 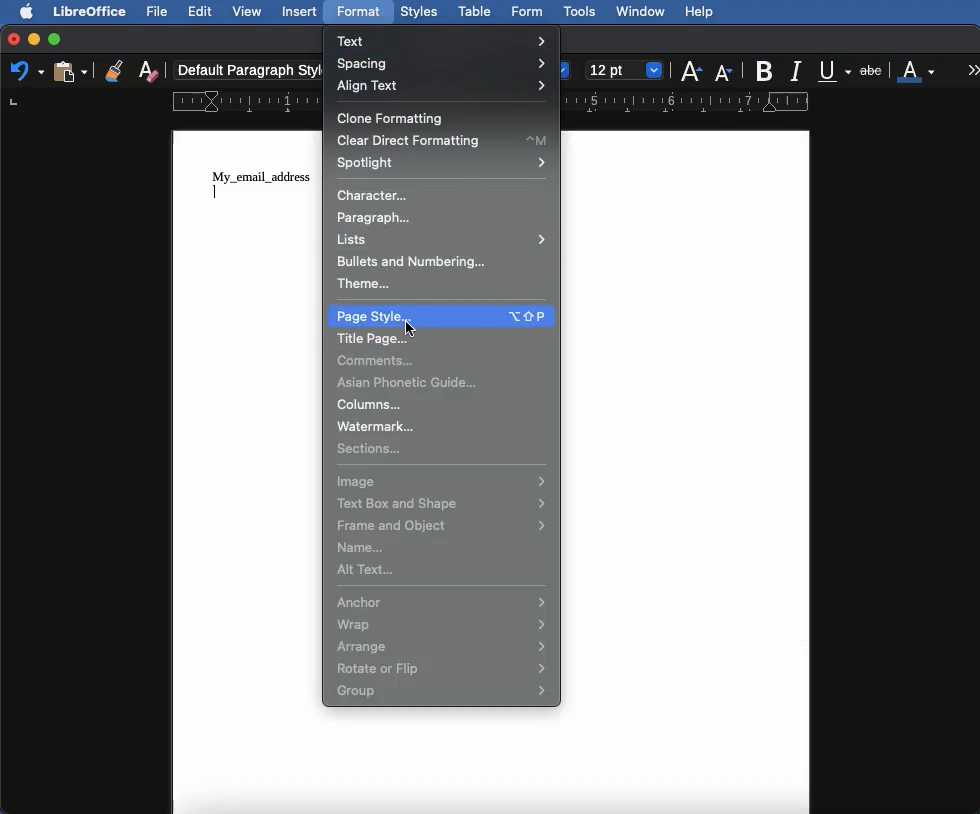 What do you see at coordinates (443, 669) in the screenshot?
I see `Rotate or flip` at bounding box center [443, 669].